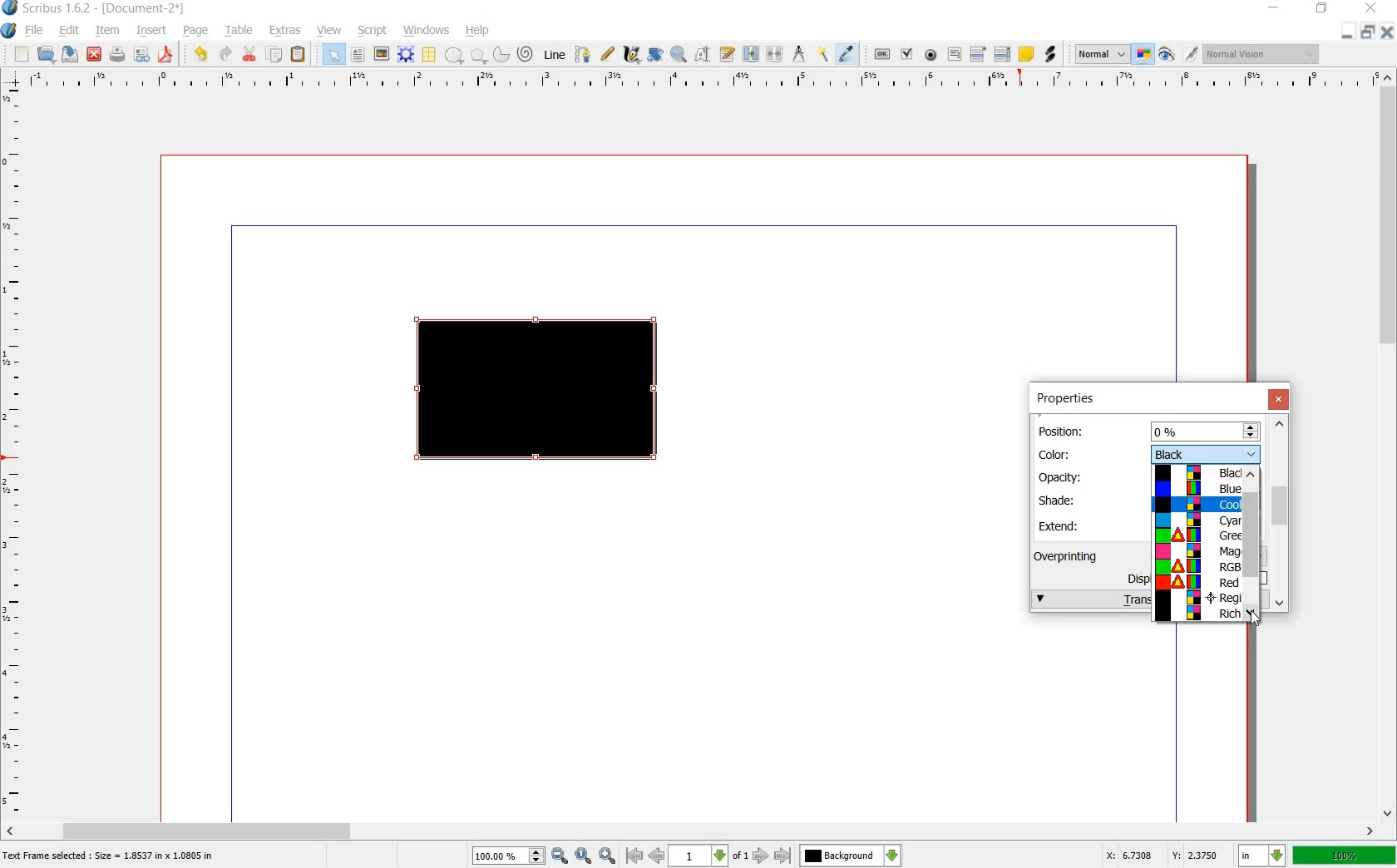  What do you see at coordinates (931, 55) in the screenshot?
I see `pdf radio button` at bounding box center [931, 55].